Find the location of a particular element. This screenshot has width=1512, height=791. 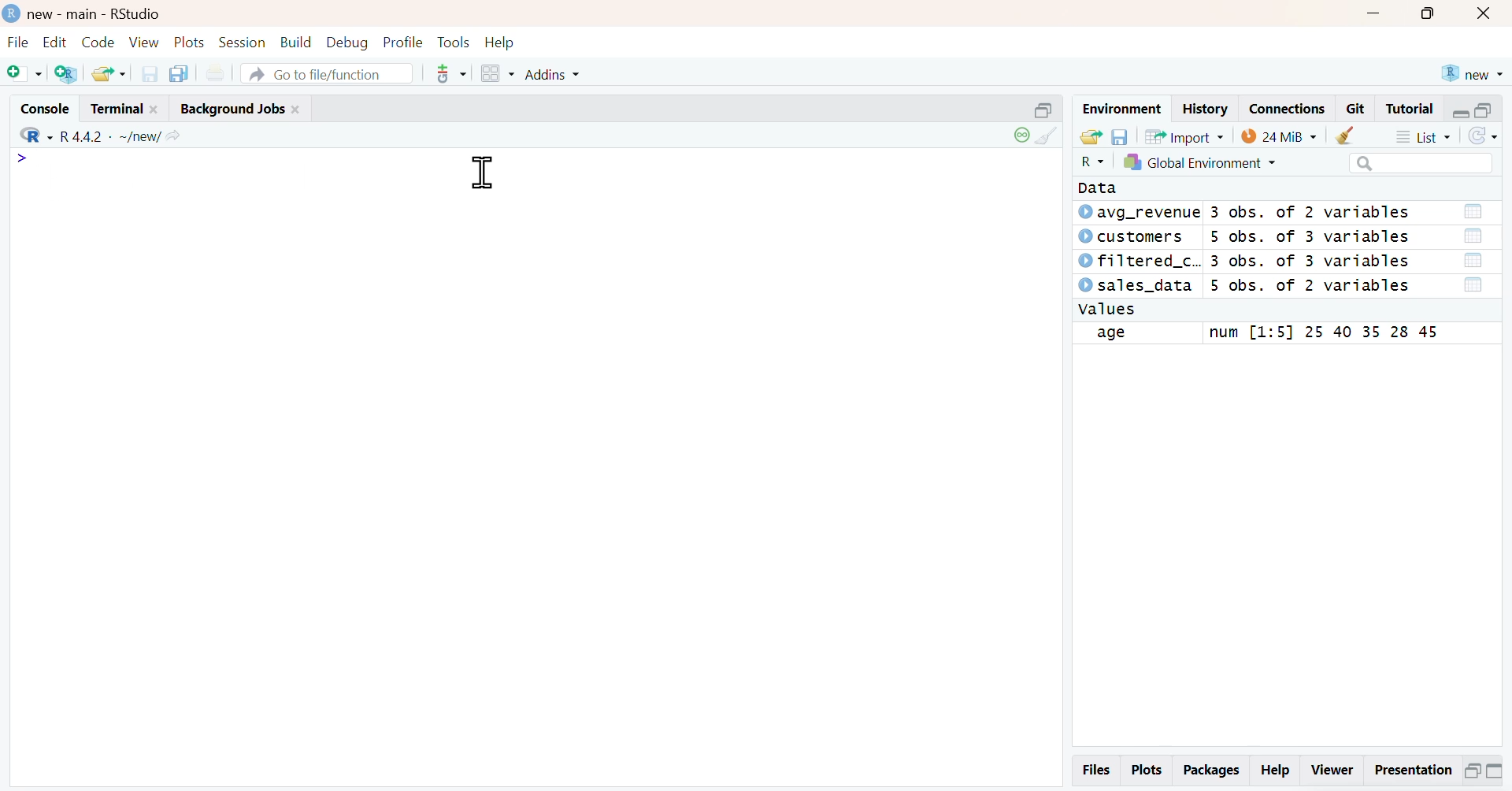

Open dataset in table view is located at coordinates (1473, 249).